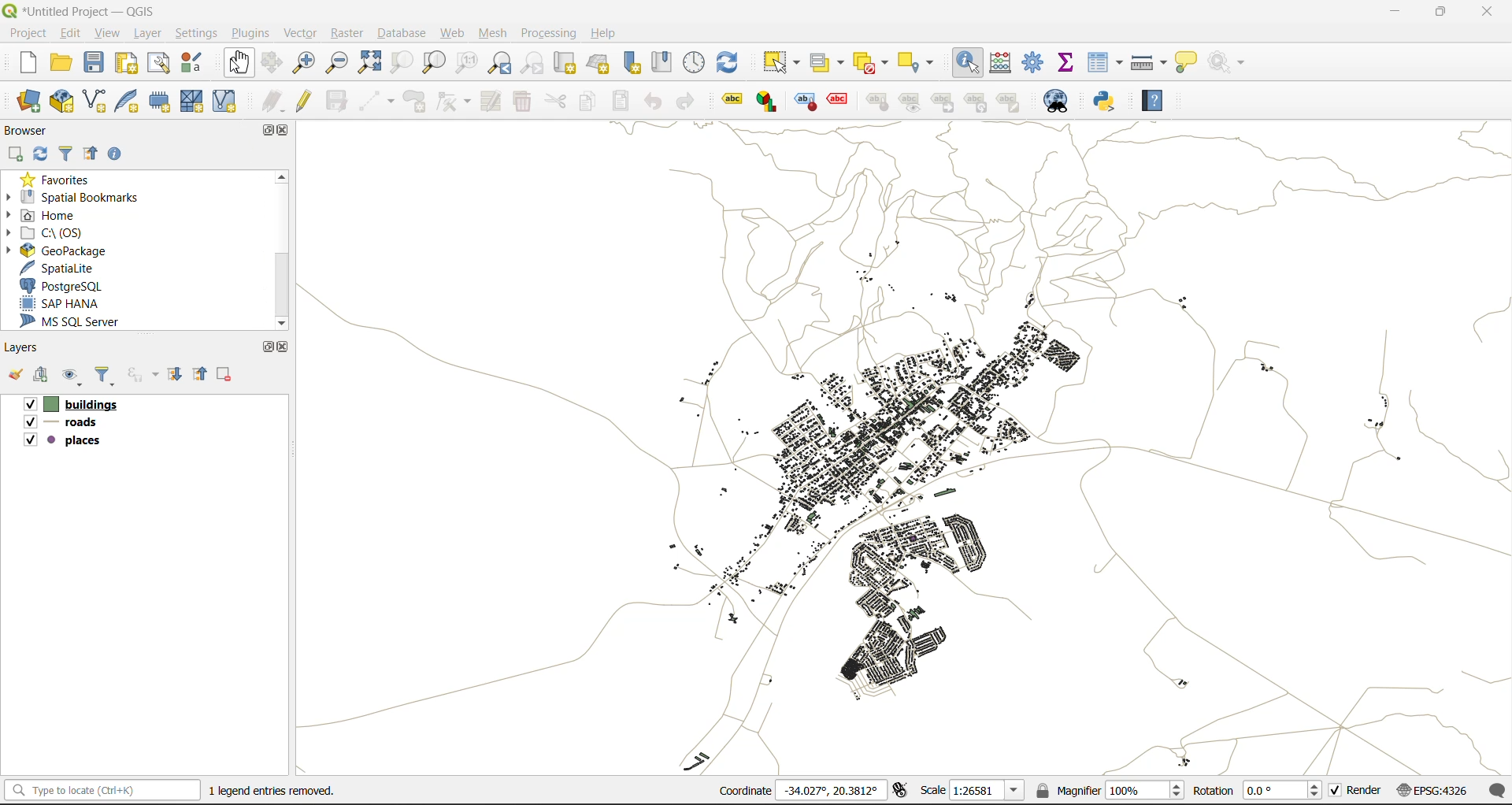 This screenshot has height=805, width=1512. Describe the element at coordinates (548, 34) in the screenshot. I see `processing` at that location.